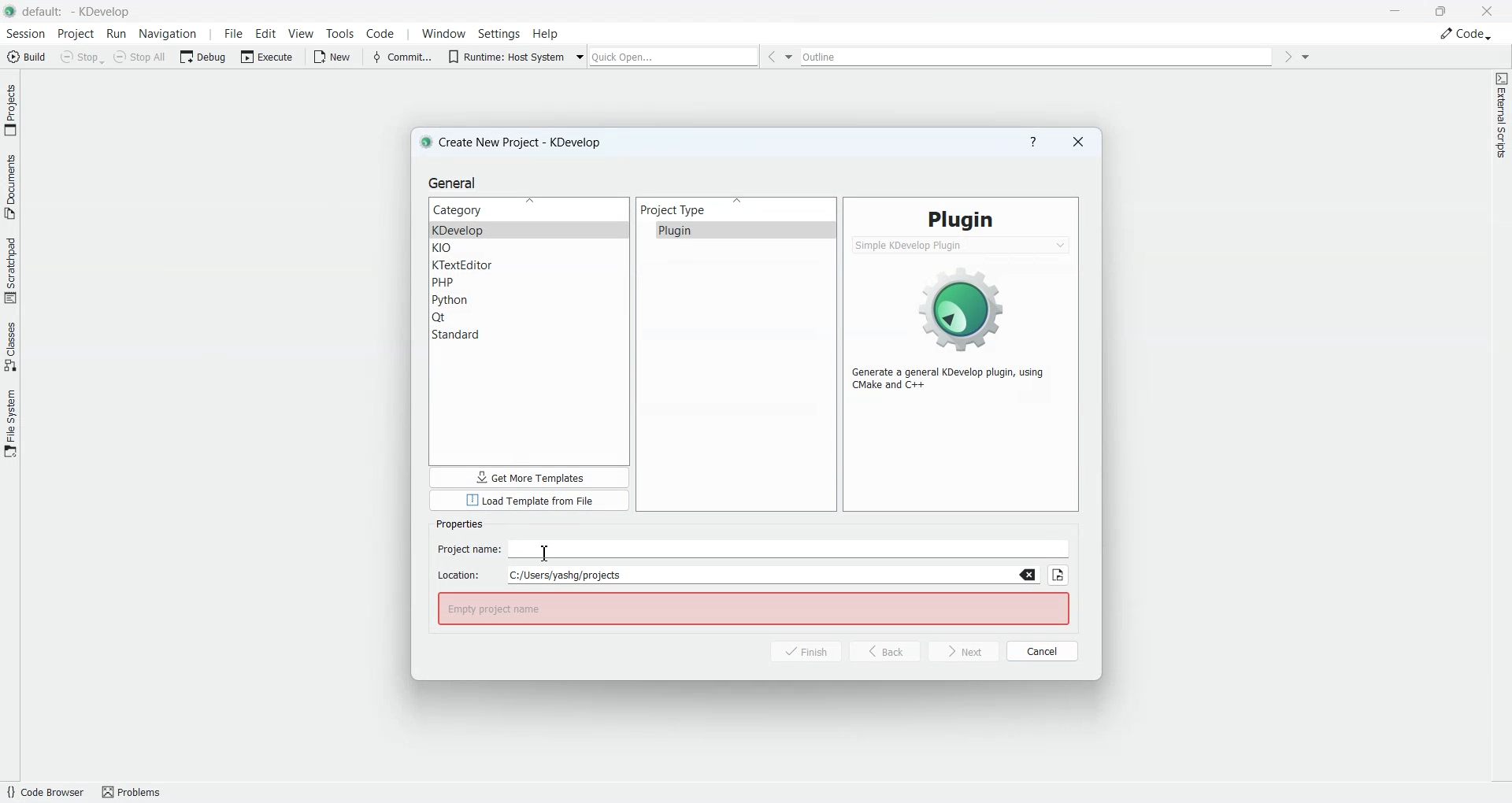  What do you see at coordinates (529, 249) in the screenshot?
I see `KIO` at bounding box center [529, 249].